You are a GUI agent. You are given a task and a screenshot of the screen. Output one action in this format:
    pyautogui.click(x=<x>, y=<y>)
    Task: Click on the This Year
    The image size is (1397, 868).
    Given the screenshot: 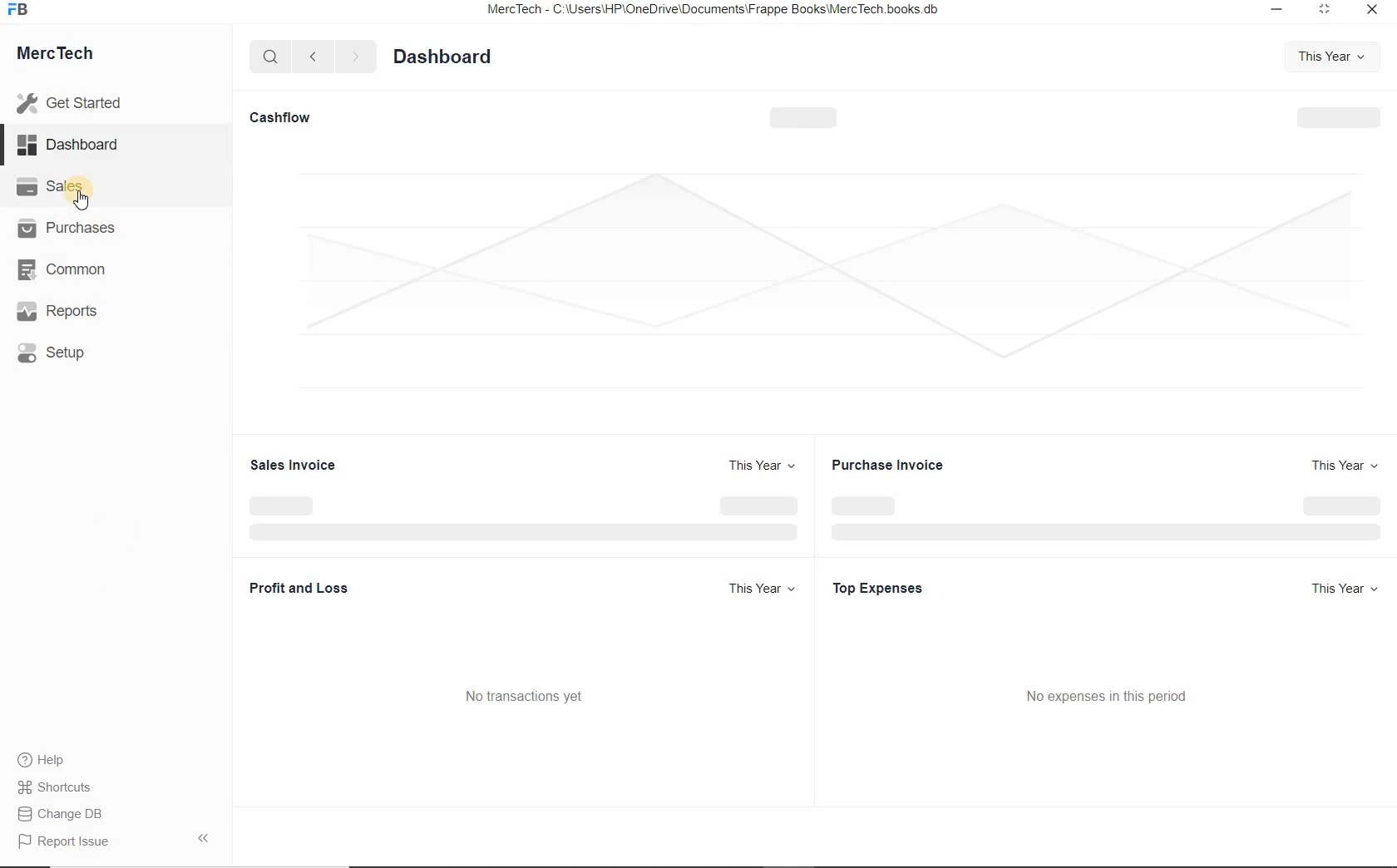 What is the action you would take?
    pyautogui.click(x=1339, y=589)
    